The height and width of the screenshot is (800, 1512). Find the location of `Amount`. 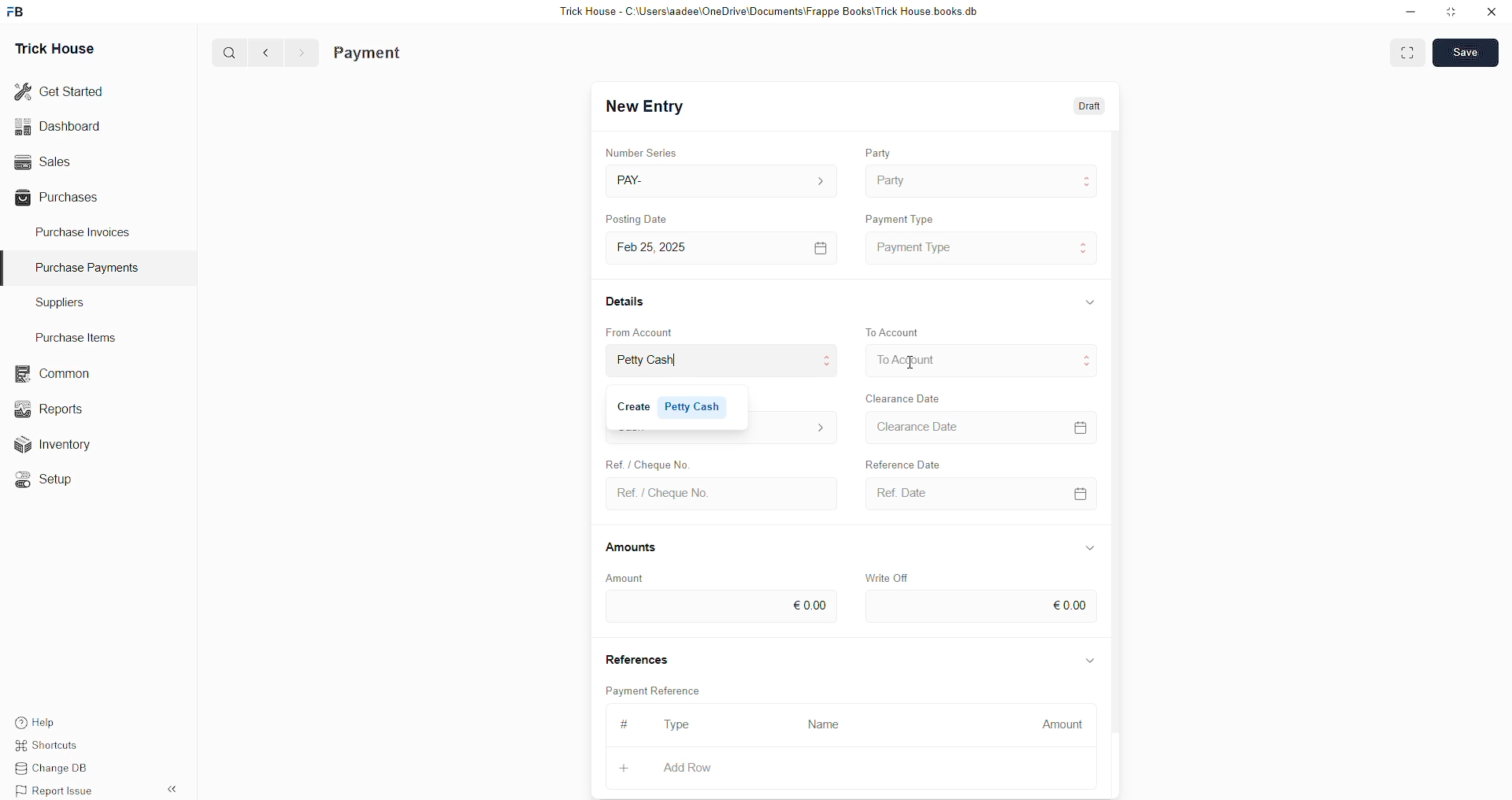

Amount is located at coordinates (625, 577).